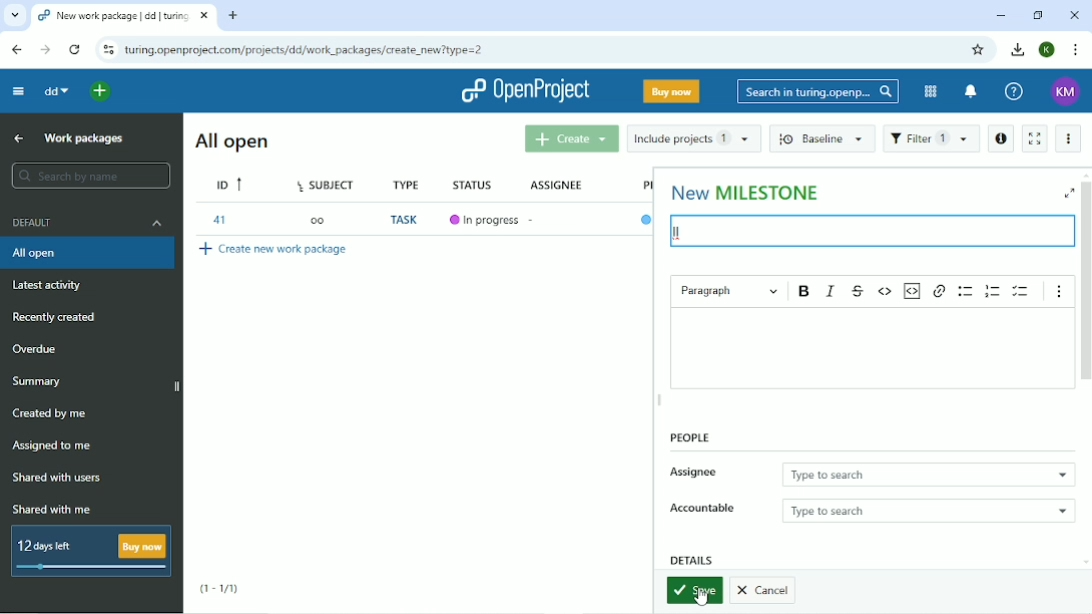 This screenshot has height=614, width=1092. Describe the element at coordinates (16, 50) in the screenshot. I see `Back` at that location.